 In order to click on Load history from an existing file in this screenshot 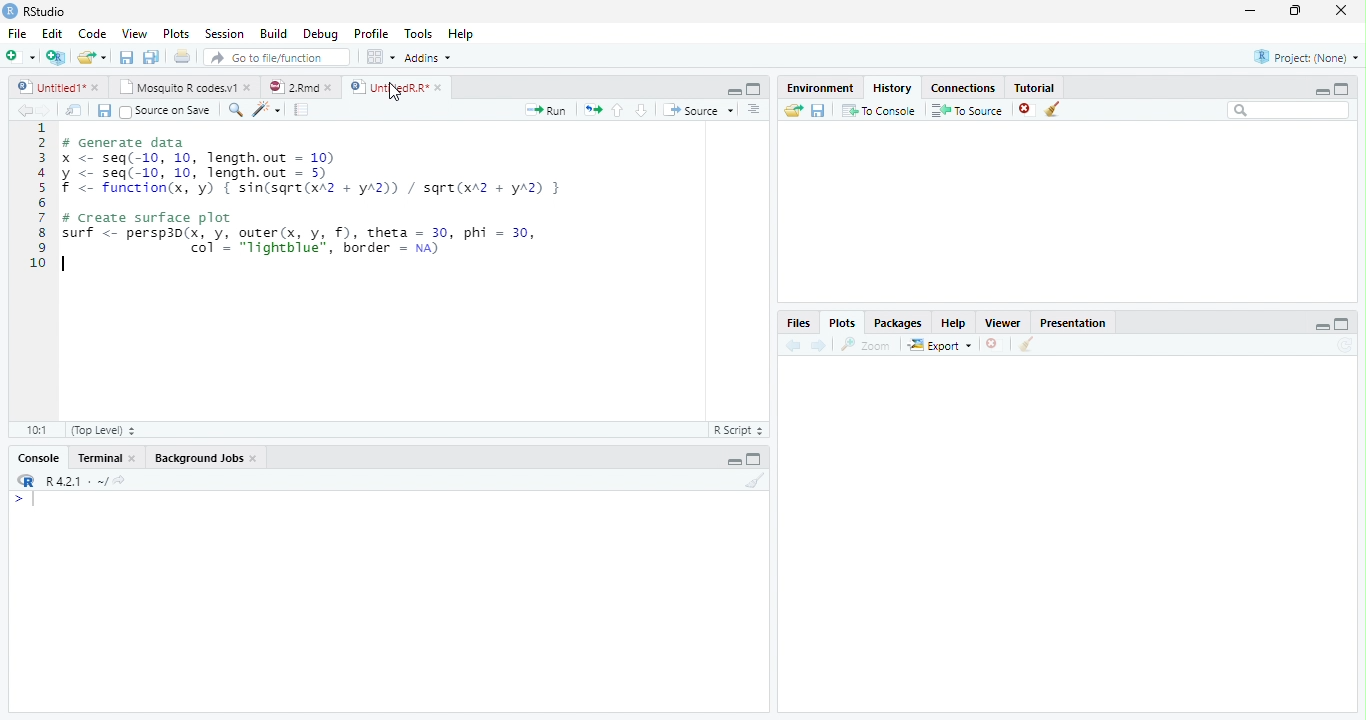, I will do `click(792, 111)`.